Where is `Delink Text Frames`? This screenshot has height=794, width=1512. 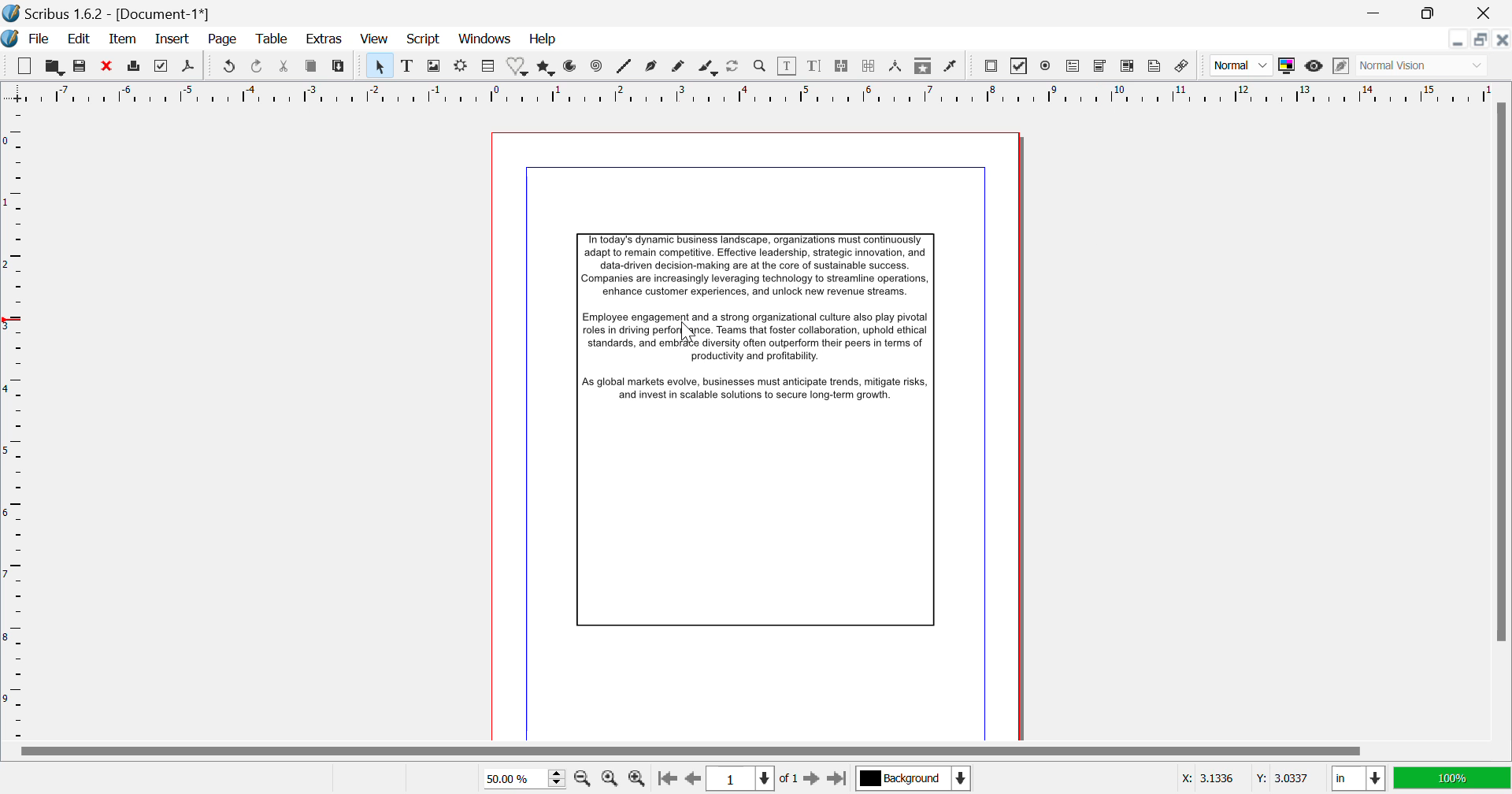
Delink Text Frames is located at coordinates (870, 67).